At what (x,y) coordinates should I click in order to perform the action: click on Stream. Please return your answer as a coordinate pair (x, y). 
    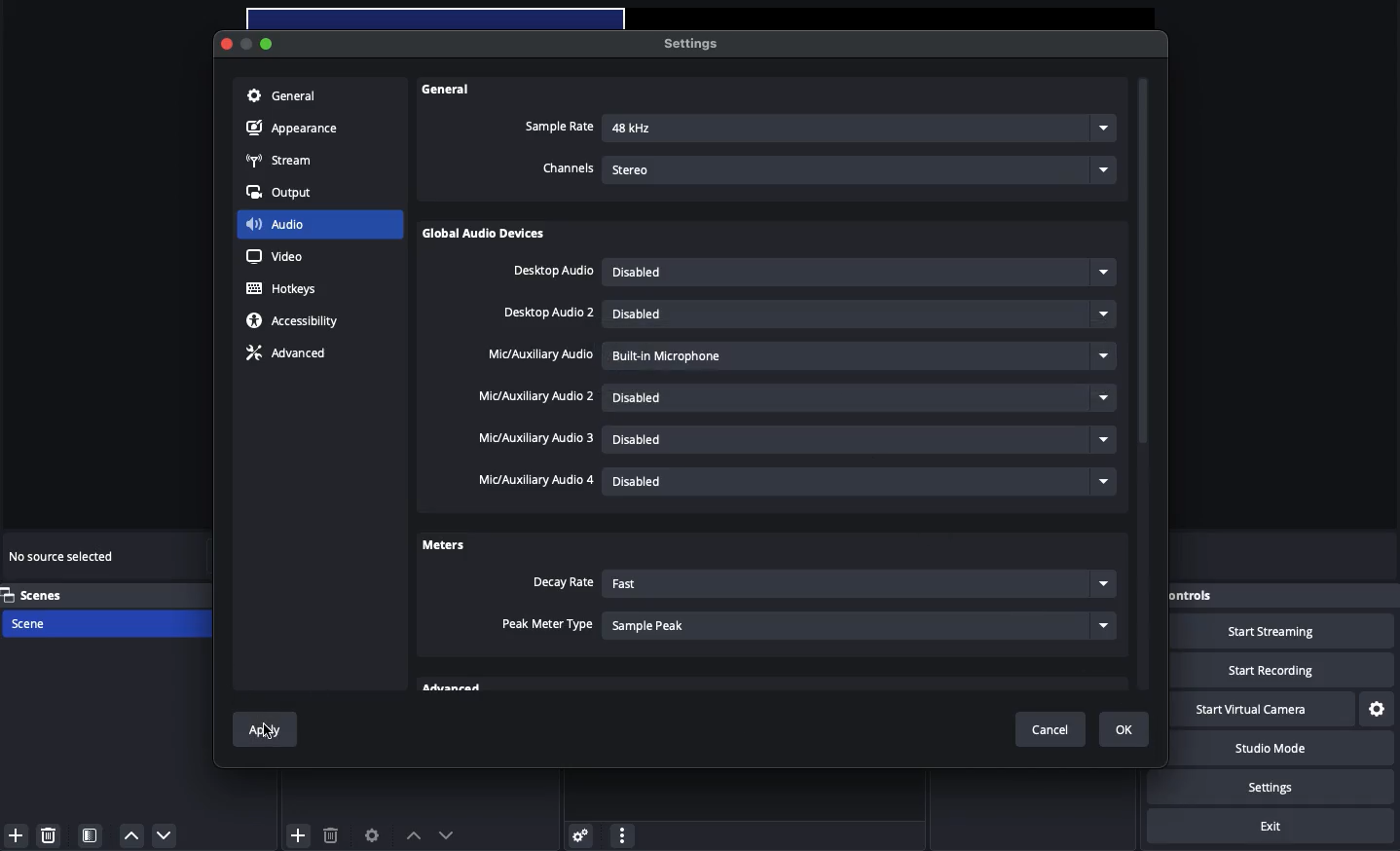
    Looking at the image, I should click on (280, 162).